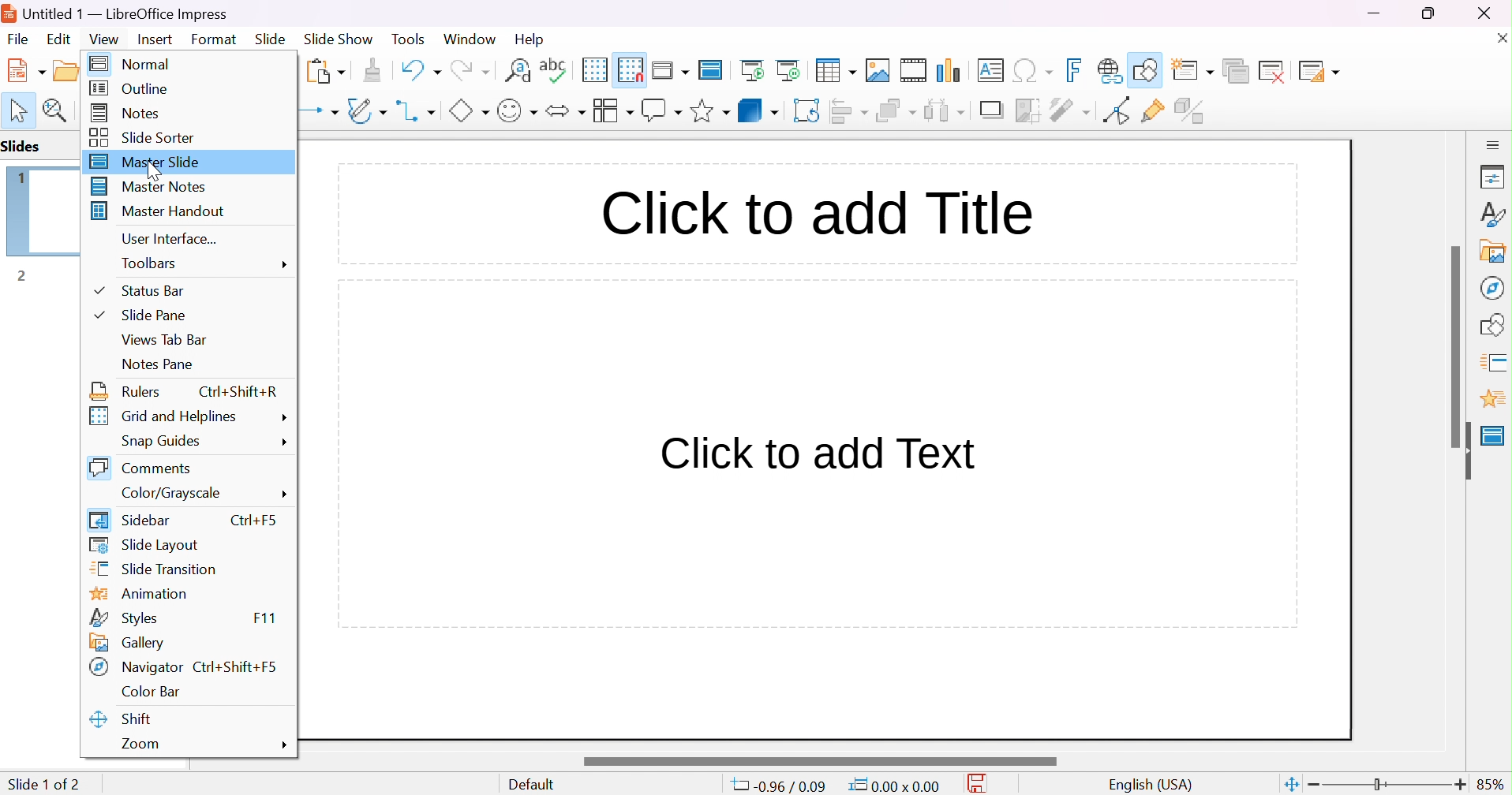  Describe the element at coordinates (1376, 13) in the screenshot. I see `minimize` at that location.